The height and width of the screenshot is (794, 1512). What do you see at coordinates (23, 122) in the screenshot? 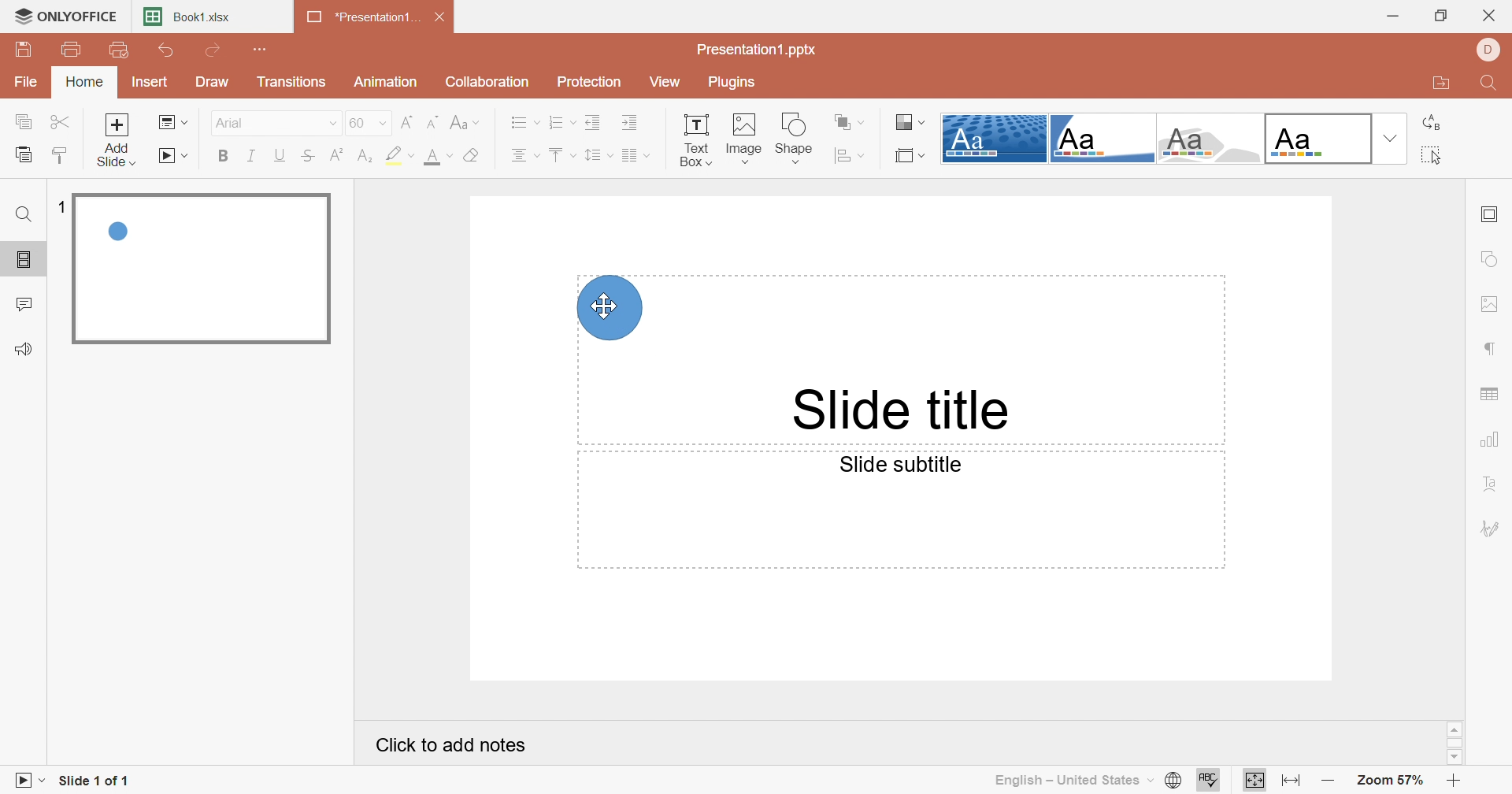
I see `Copy` at bounding box center [23, 122].